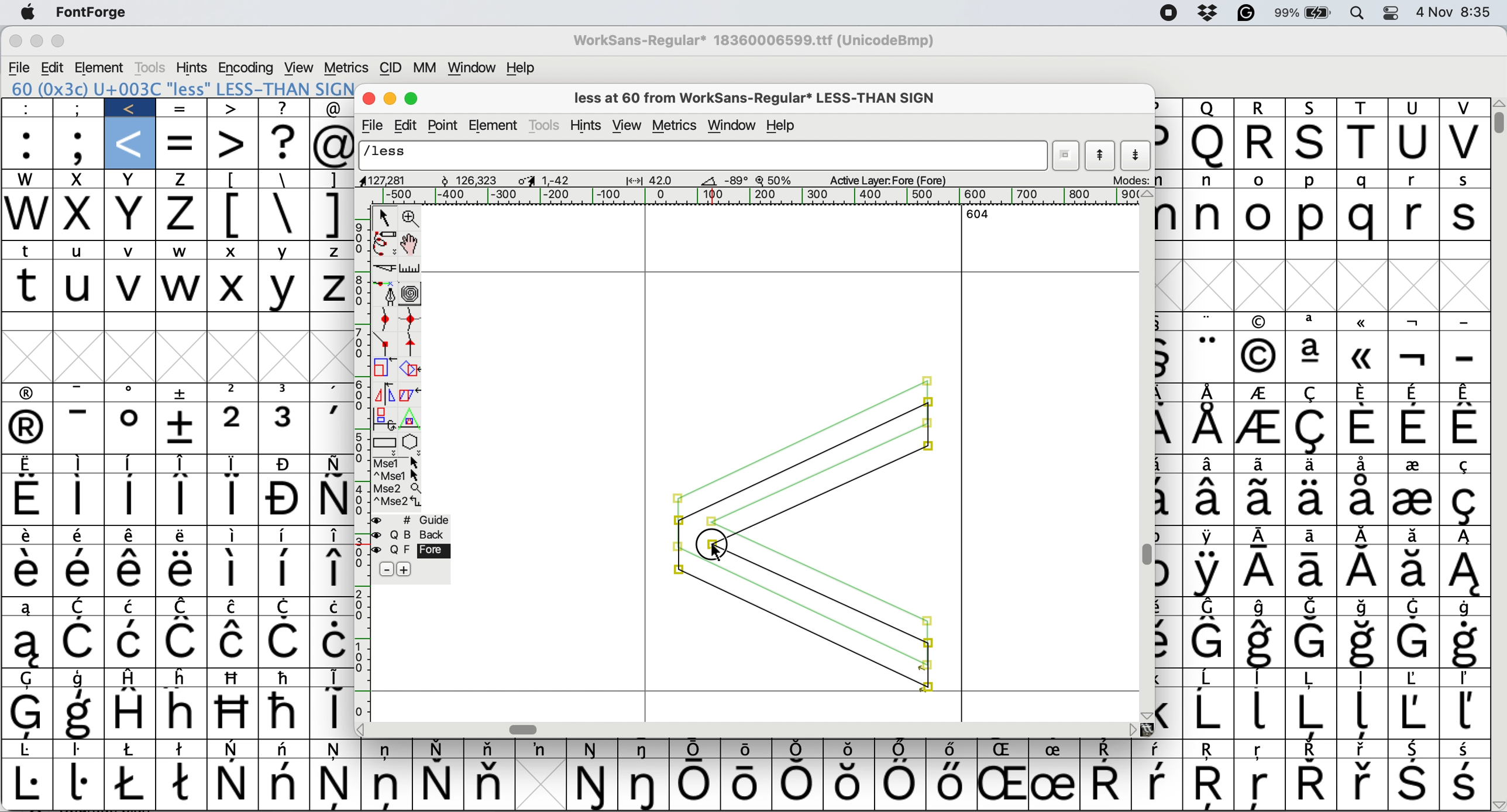  I want to click on q, so click(1209, 142).